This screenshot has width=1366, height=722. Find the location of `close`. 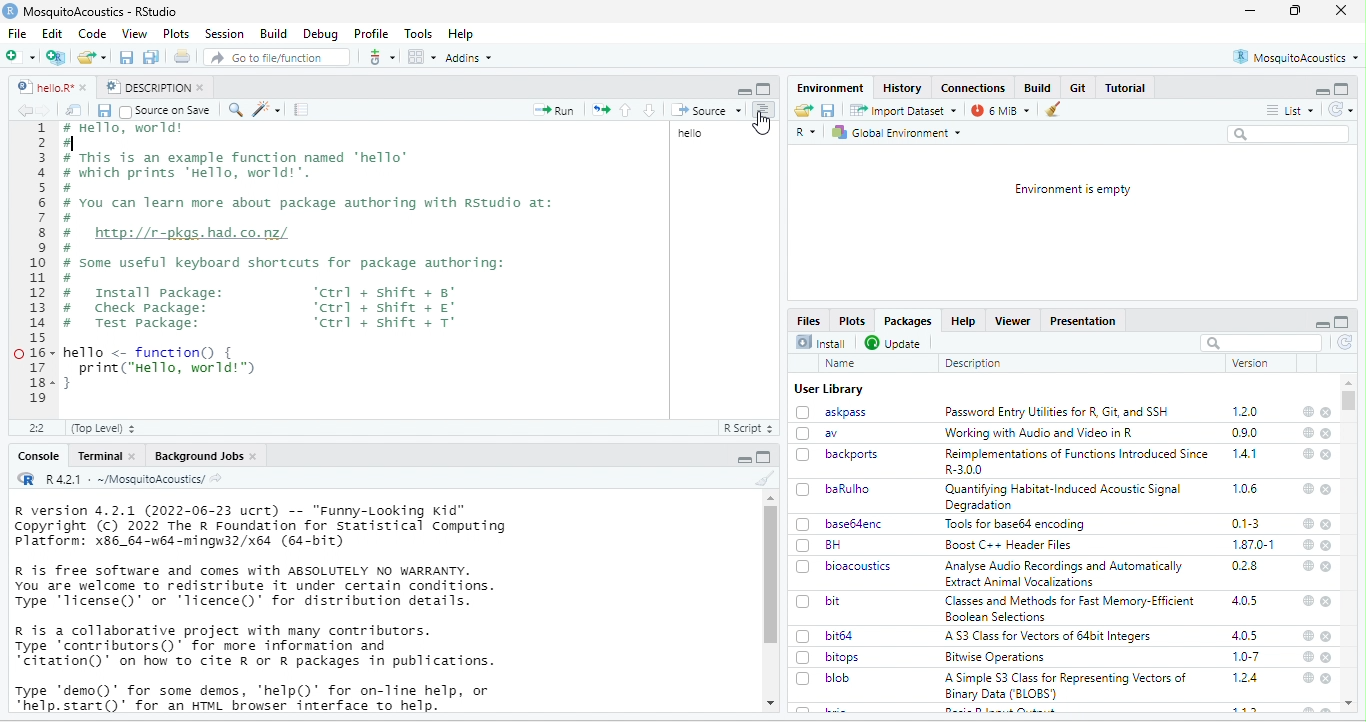

close is located at coordinates (1328, 637).